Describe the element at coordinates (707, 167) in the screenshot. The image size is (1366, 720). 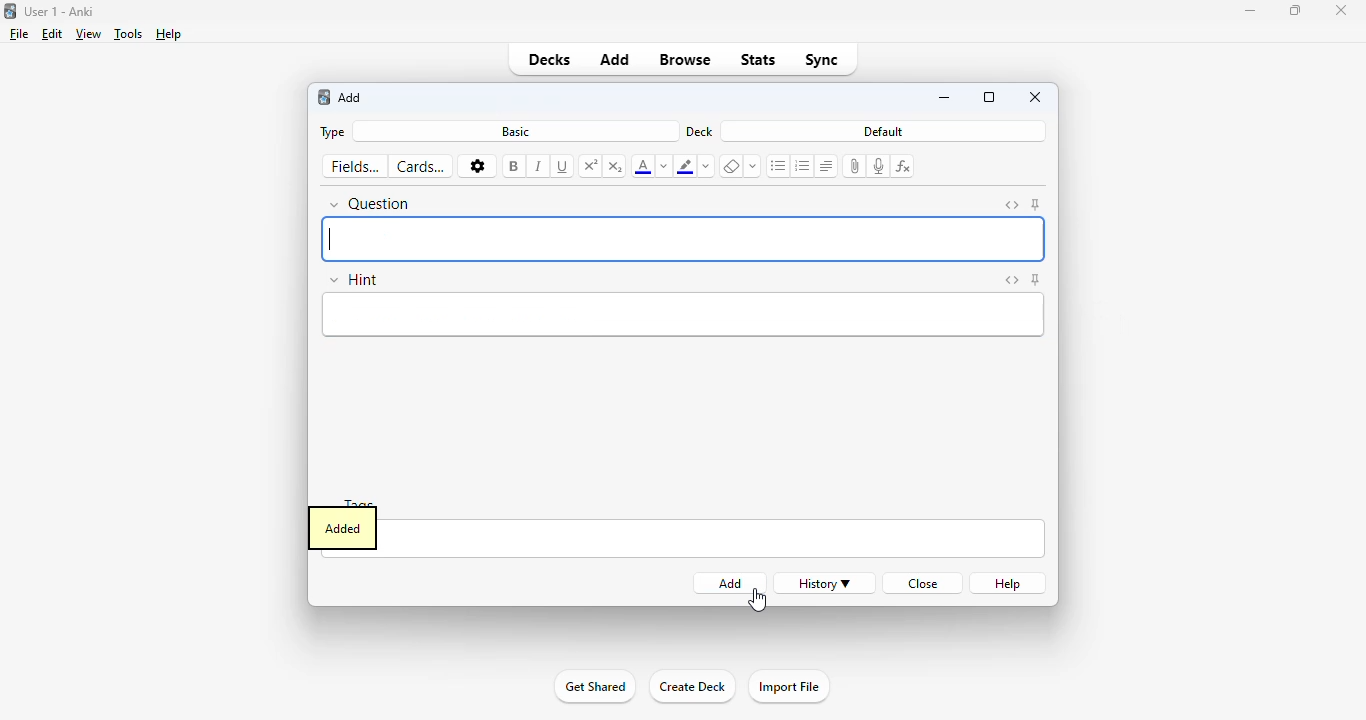
I see `change color` at that location.